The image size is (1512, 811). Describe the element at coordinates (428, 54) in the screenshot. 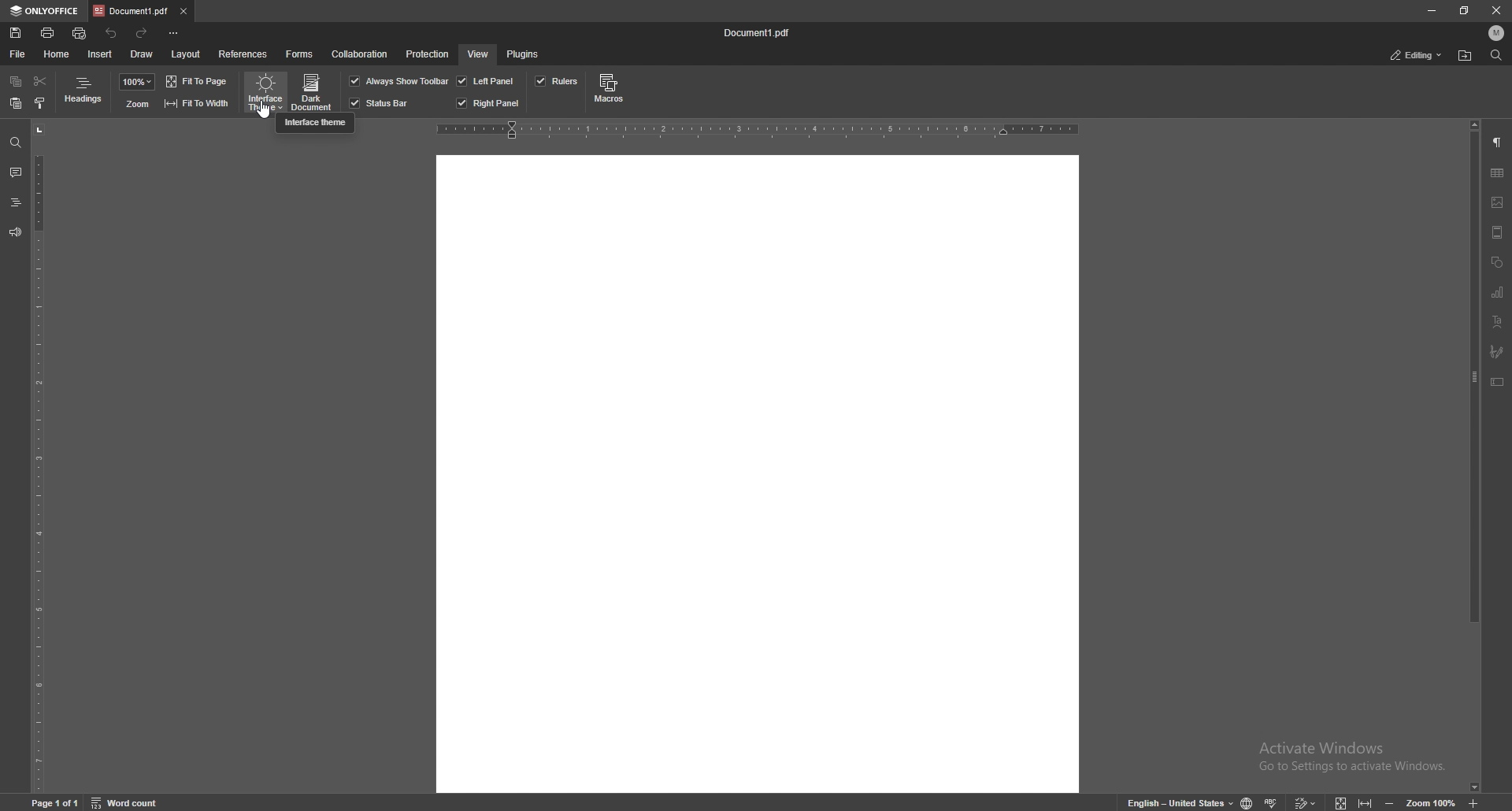

I see `protection` at that location.